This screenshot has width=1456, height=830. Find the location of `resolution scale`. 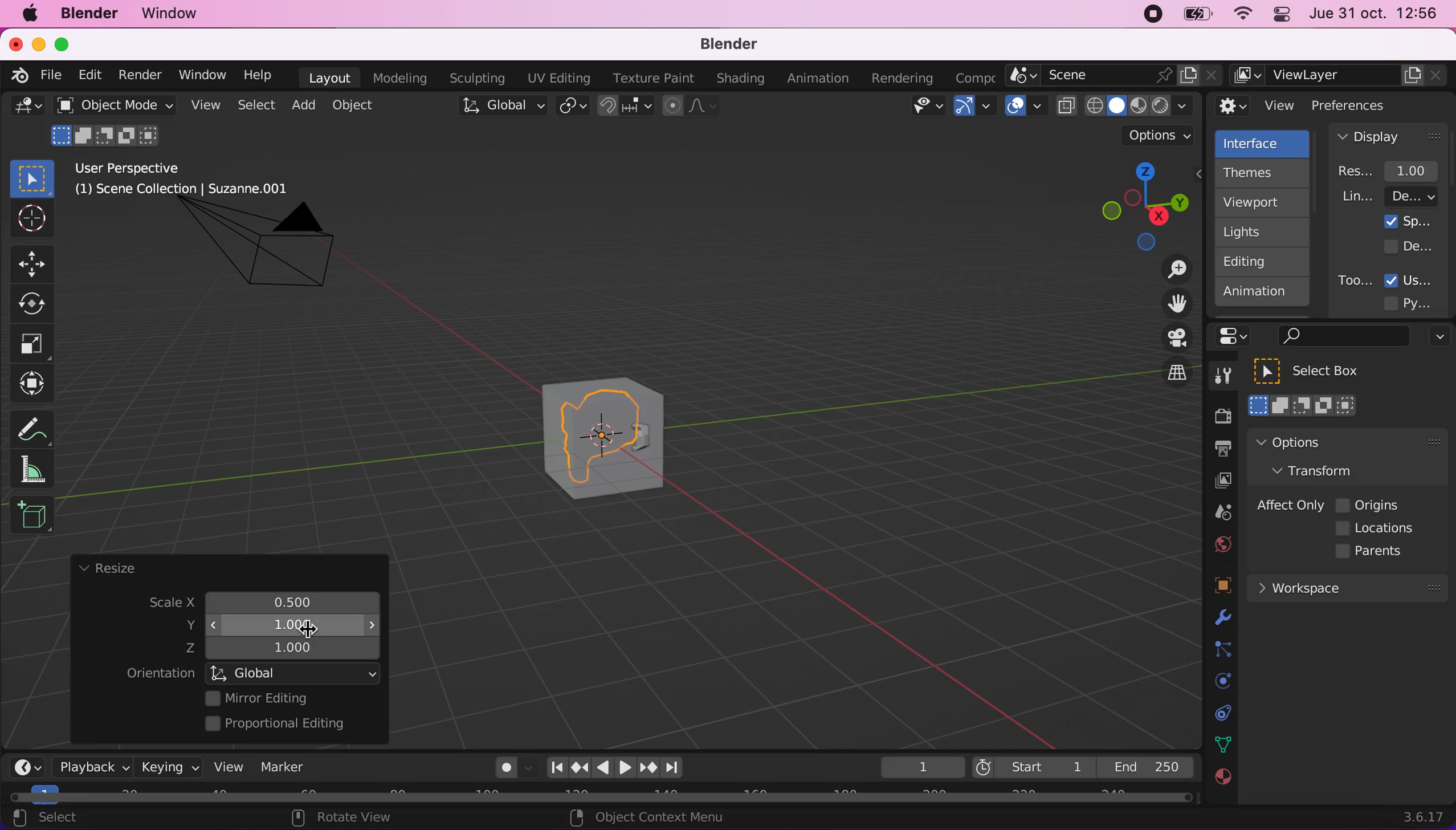

resolution scale is located at coordinates (1394, 170).